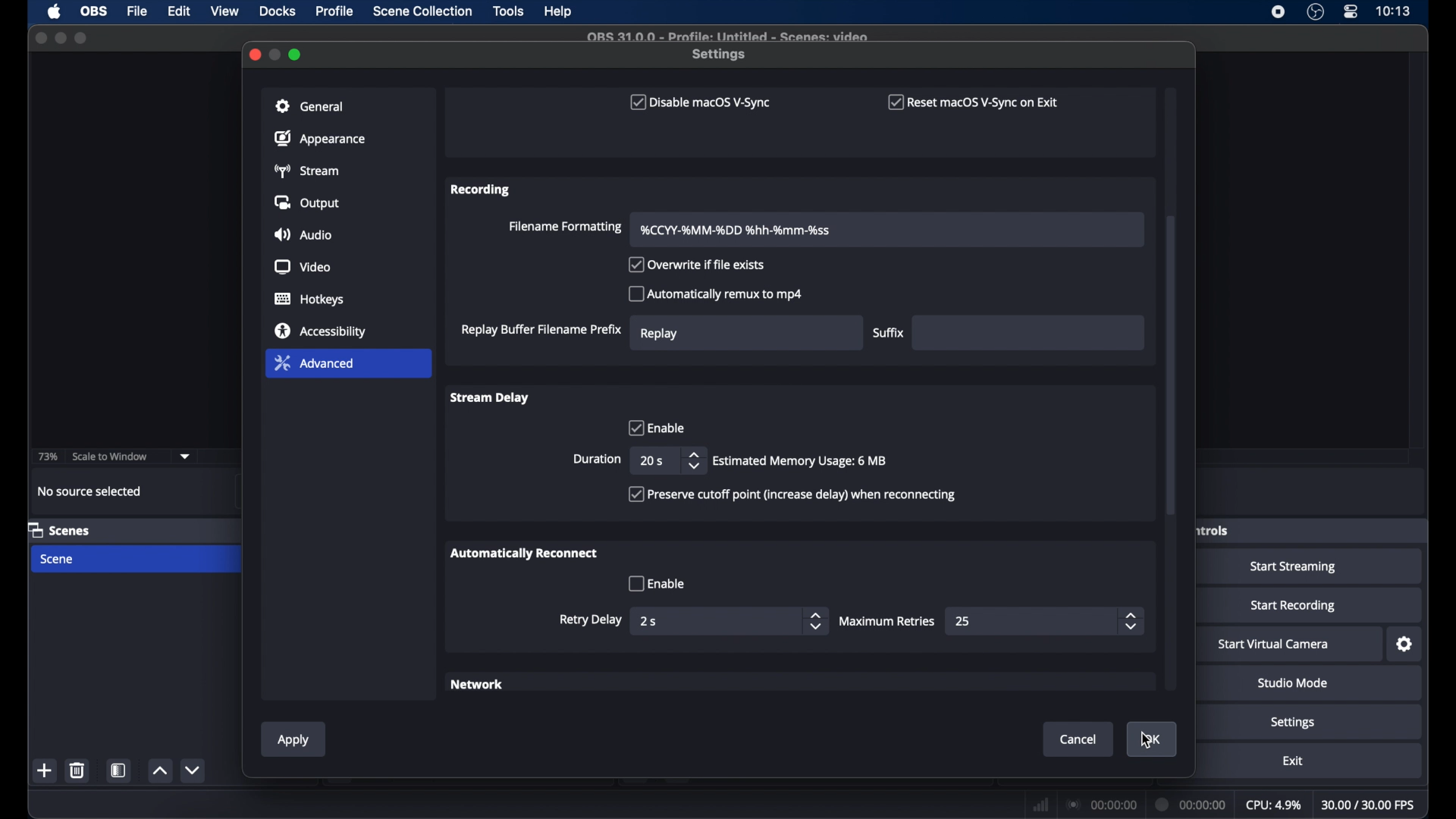 This screenshot has height=819, width=1456. I want to click on hotkeys, so click(310, 300).